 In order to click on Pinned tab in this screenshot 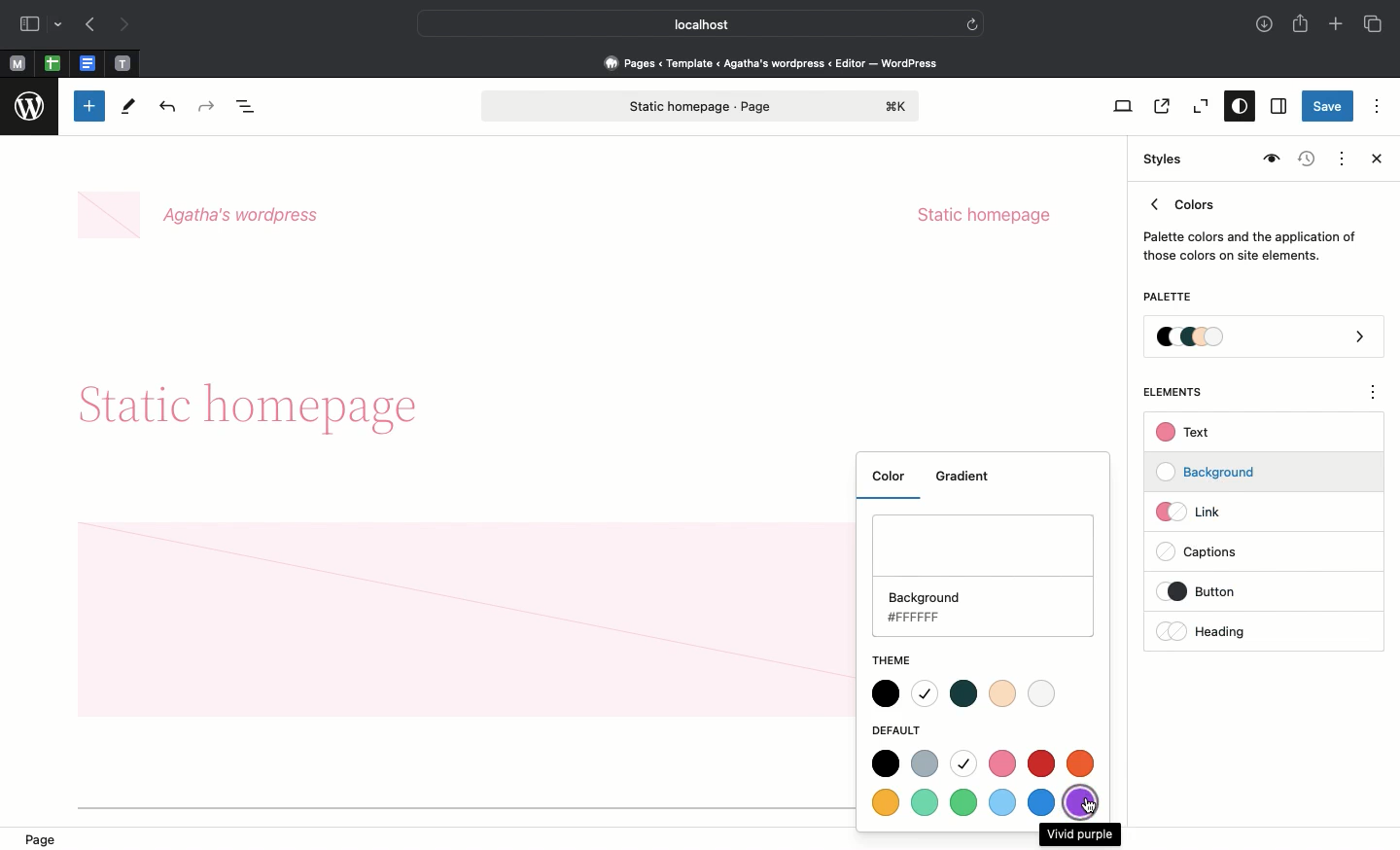, I will do `click(123, 64)`.